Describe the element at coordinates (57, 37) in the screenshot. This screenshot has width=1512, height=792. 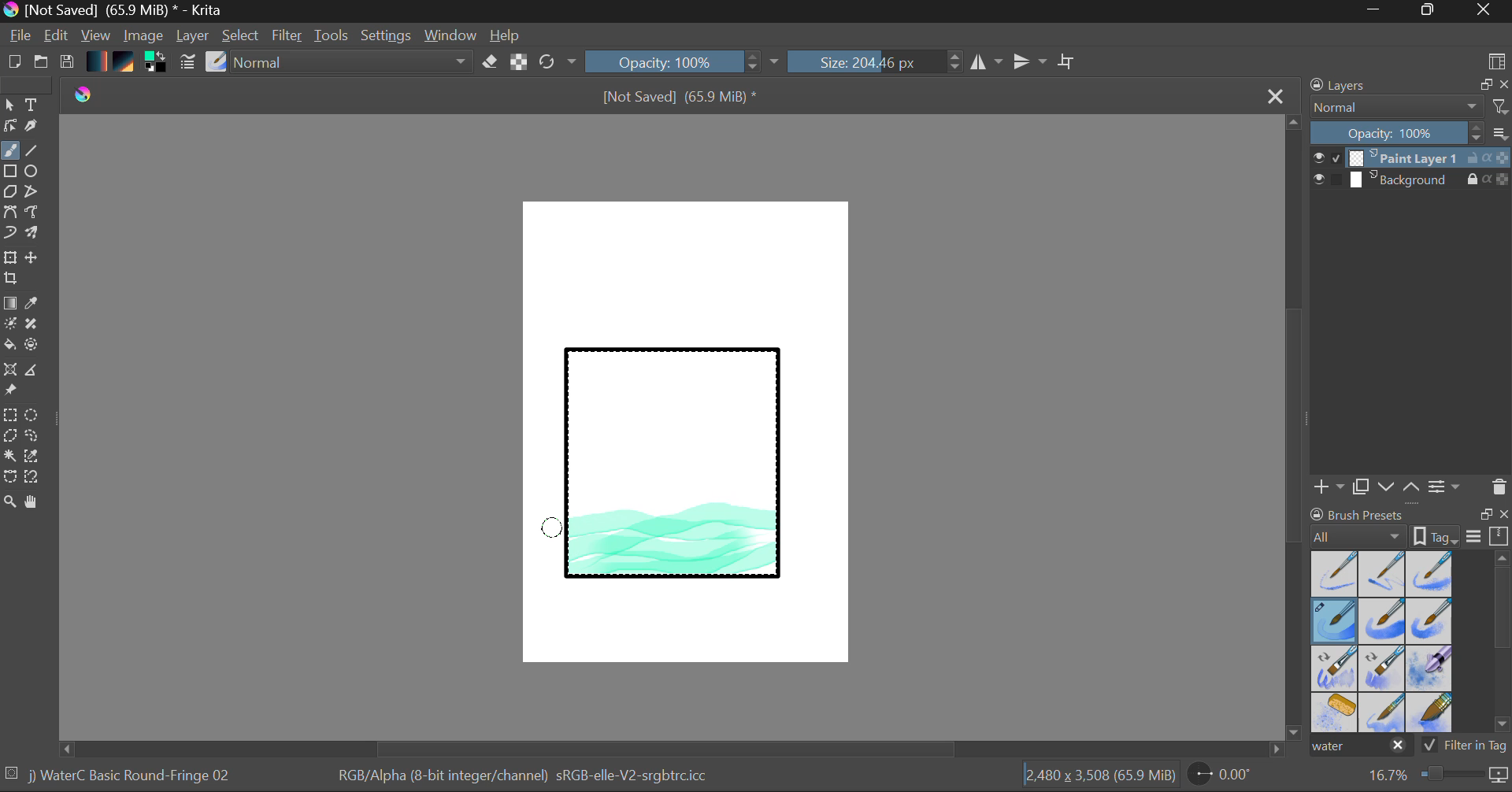
I see `Edit` at that location.